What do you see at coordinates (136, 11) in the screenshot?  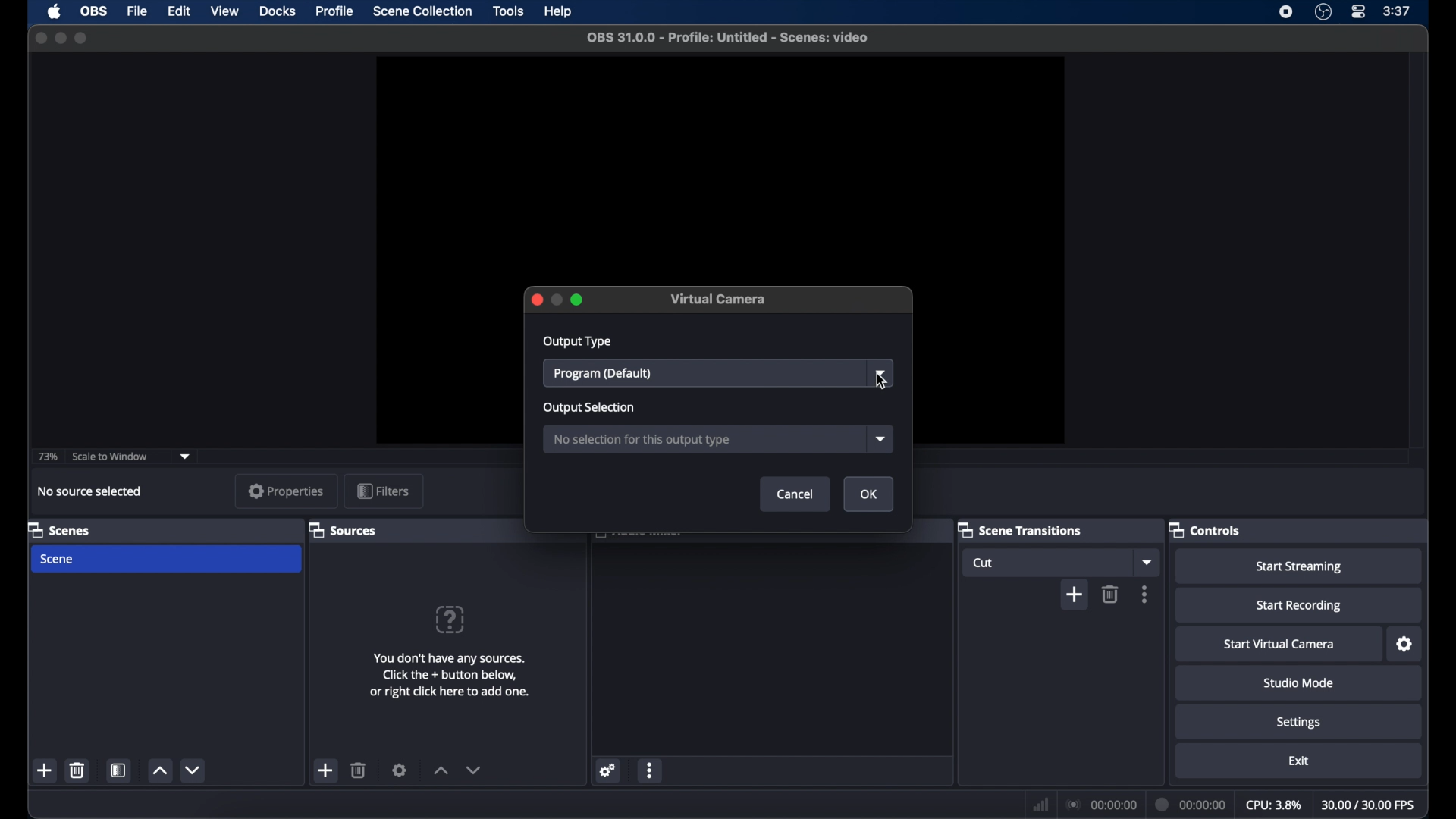 I see `file` at bounding box center [136, 11].